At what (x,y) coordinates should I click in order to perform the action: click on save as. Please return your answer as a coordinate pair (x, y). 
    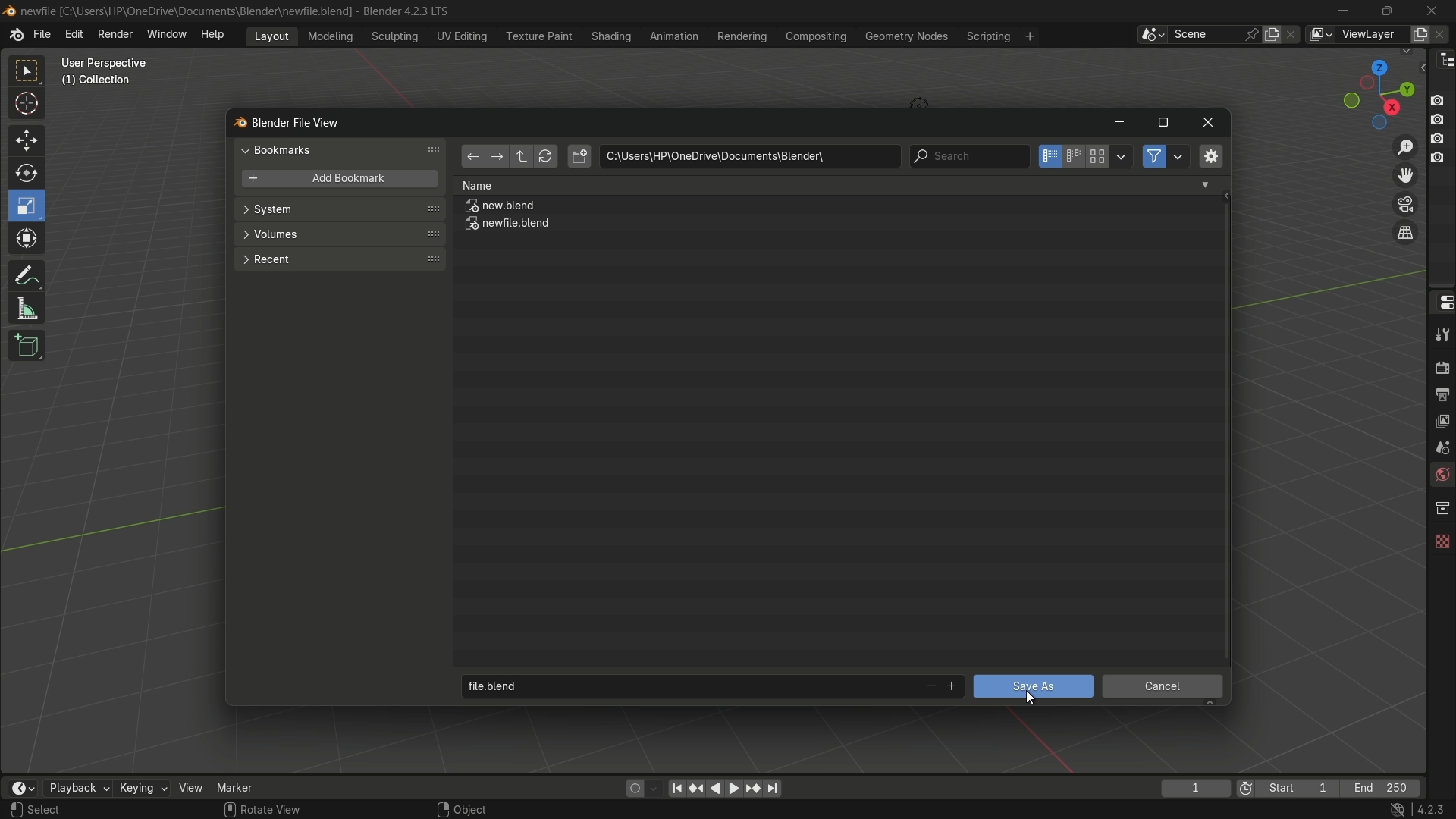
    Looking at the image, I should click on (1032, 686).